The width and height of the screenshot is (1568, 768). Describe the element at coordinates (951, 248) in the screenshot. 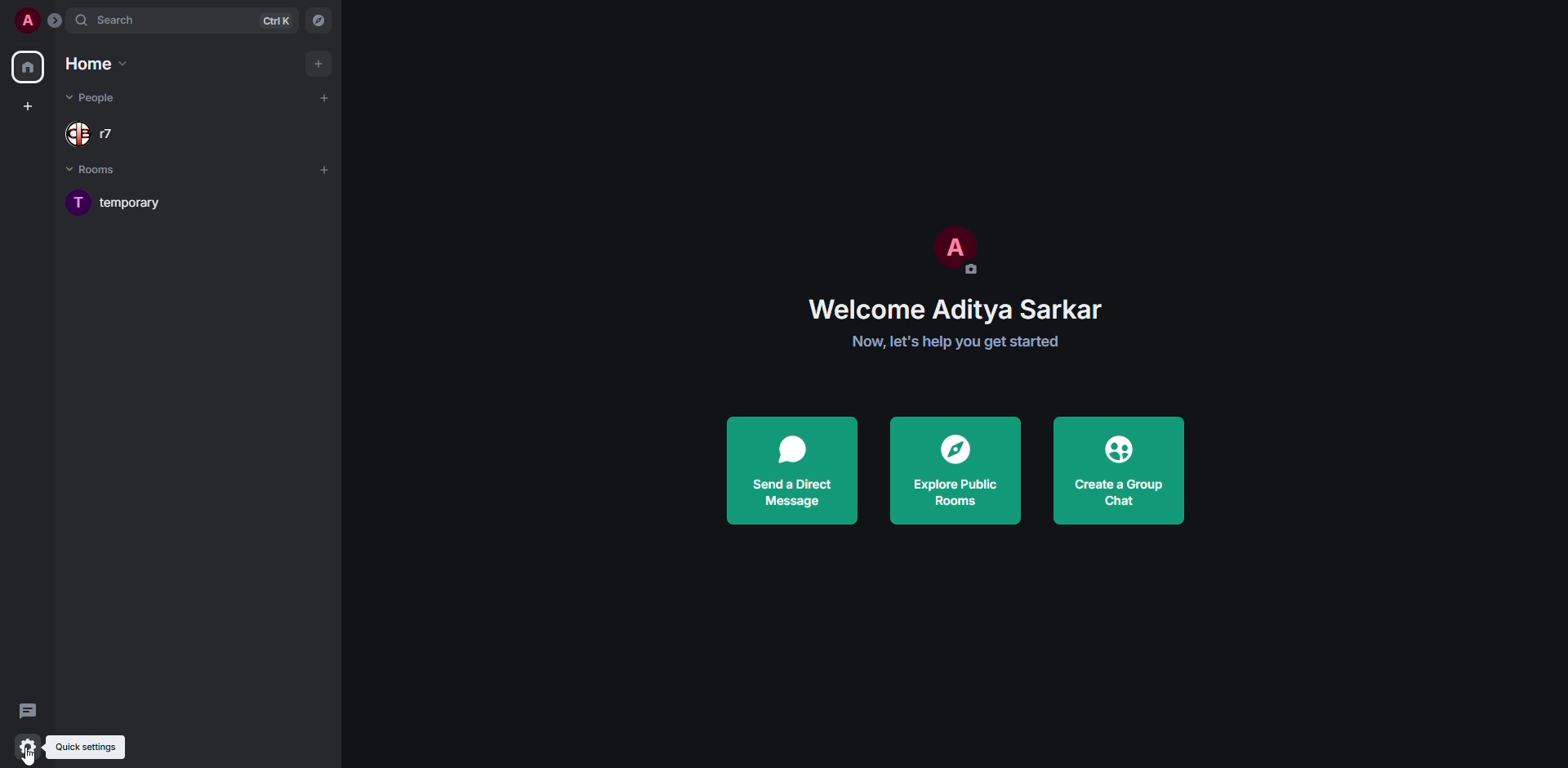

I see `profile pic` at that location.